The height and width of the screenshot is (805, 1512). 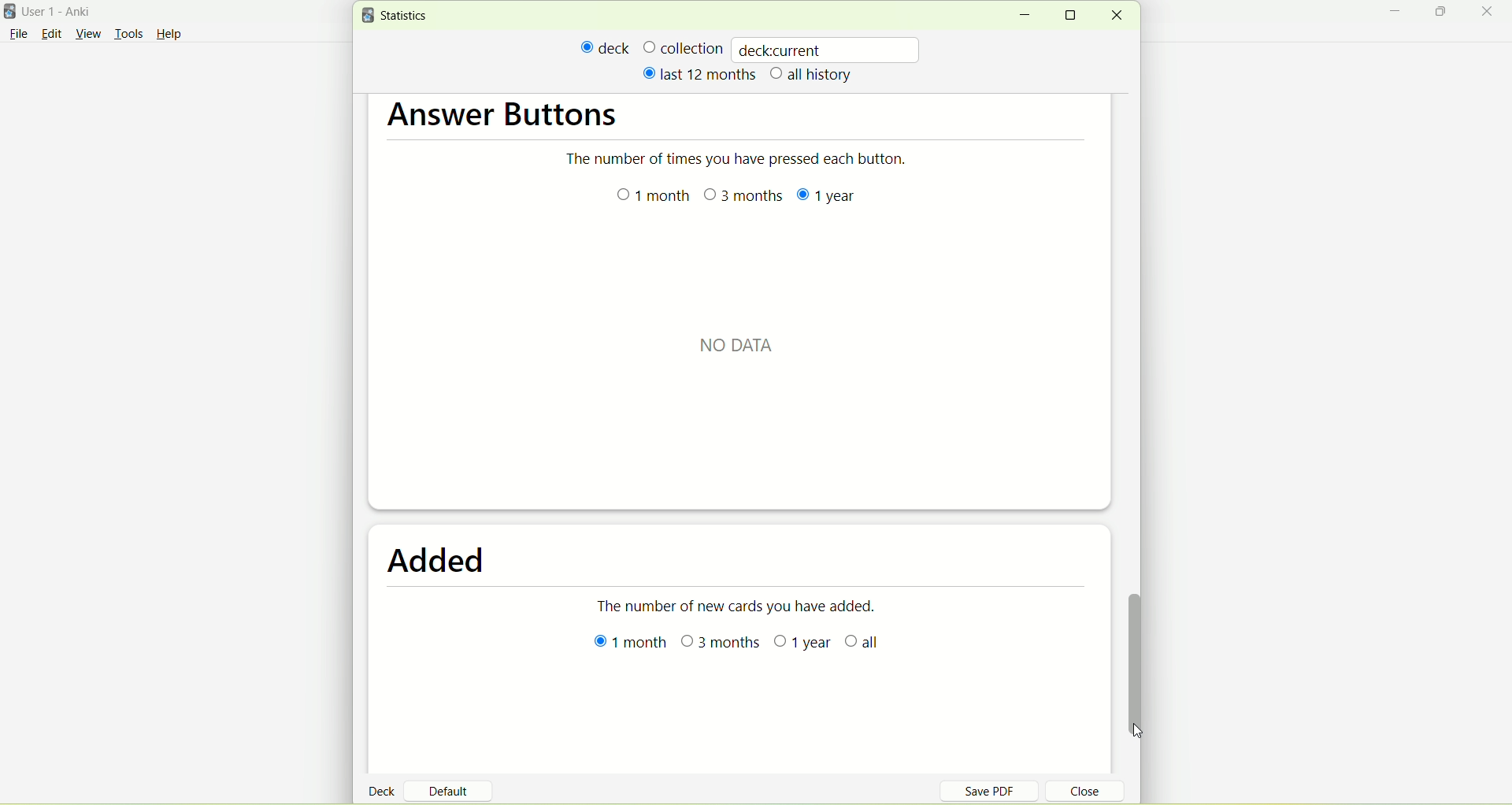 What do you see at coordinates (606, 47) in the screenshot?
I see `deck` at bounding box center [606, 47].